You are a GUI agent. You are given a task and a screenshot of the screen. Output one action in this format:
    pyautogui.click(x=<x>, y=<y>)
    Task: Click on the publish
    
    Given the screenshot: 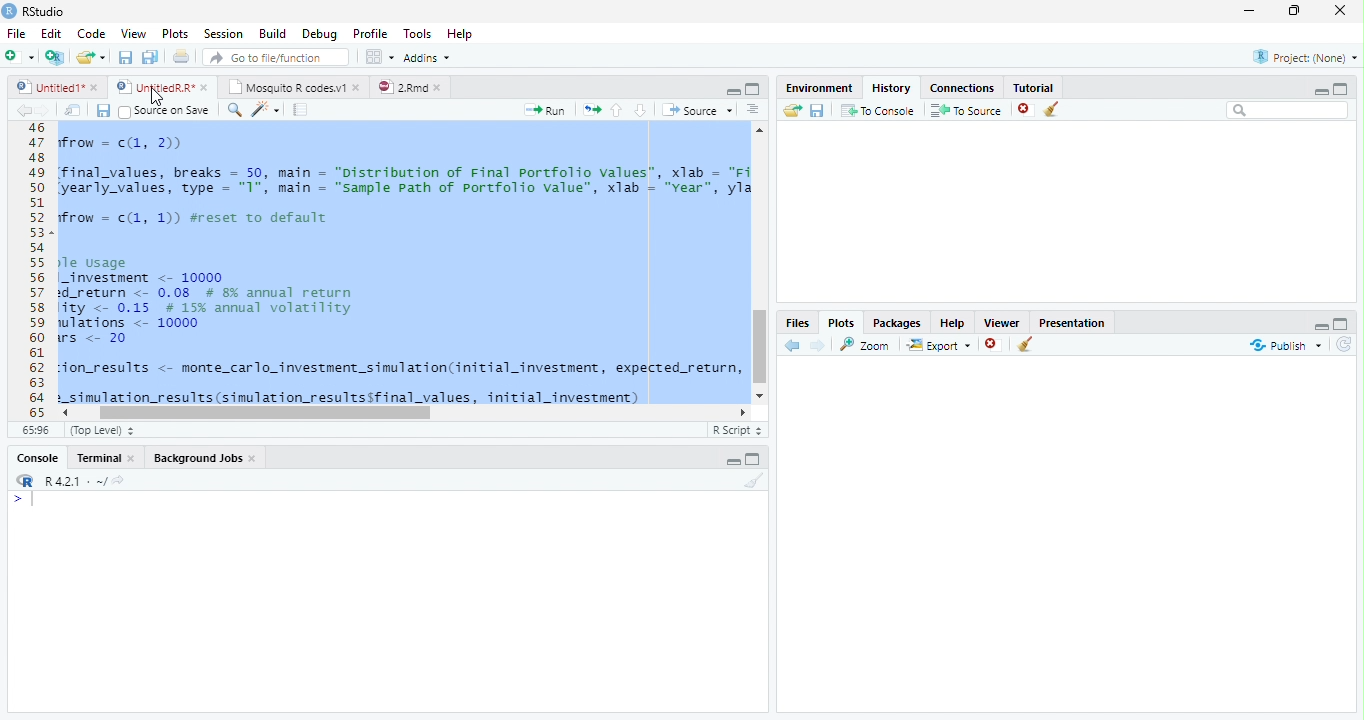 What is the action you would take?
    pyautogui.click(x=1285, y=345)
    